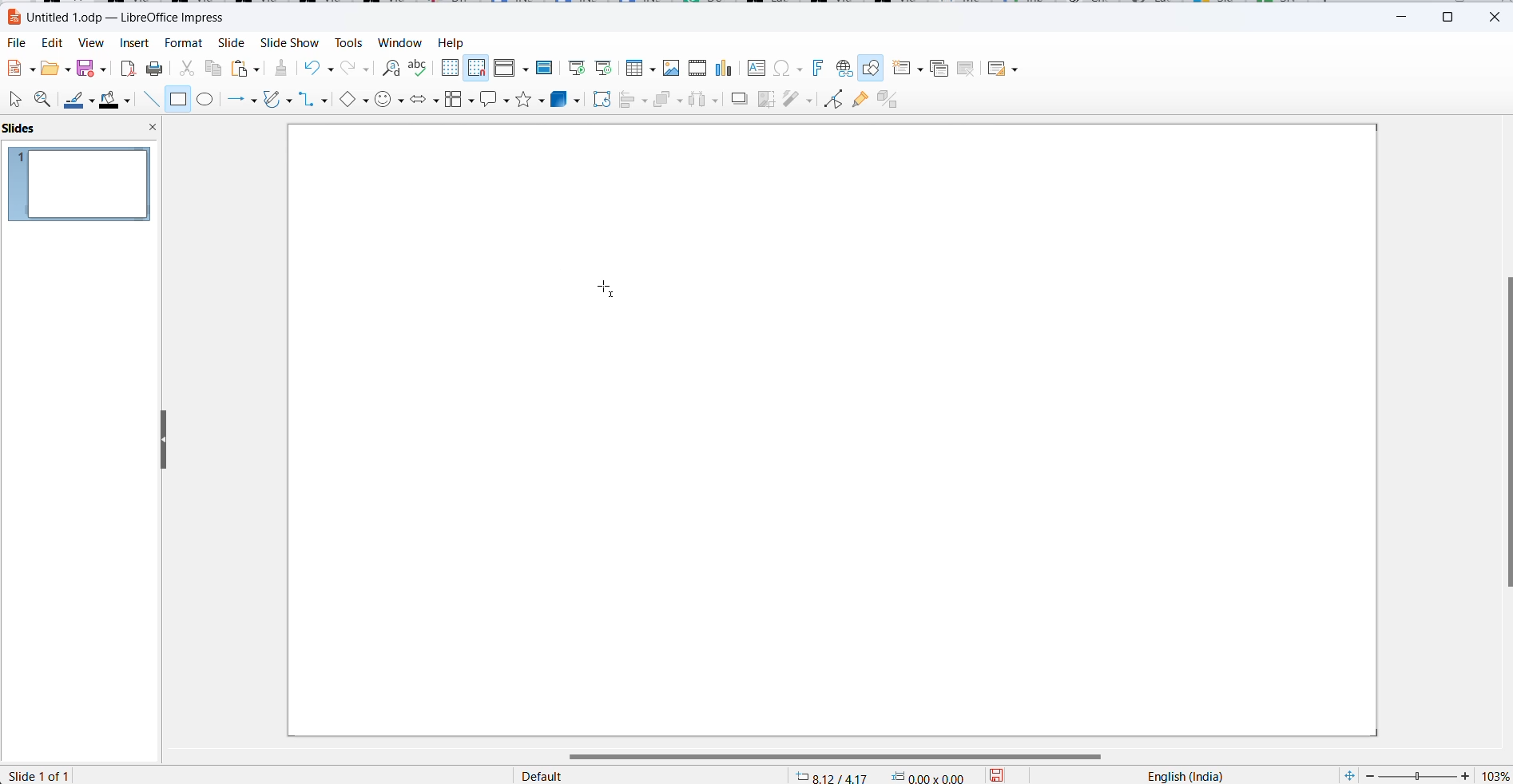  I want to click on flowchart , so click(459, 99).